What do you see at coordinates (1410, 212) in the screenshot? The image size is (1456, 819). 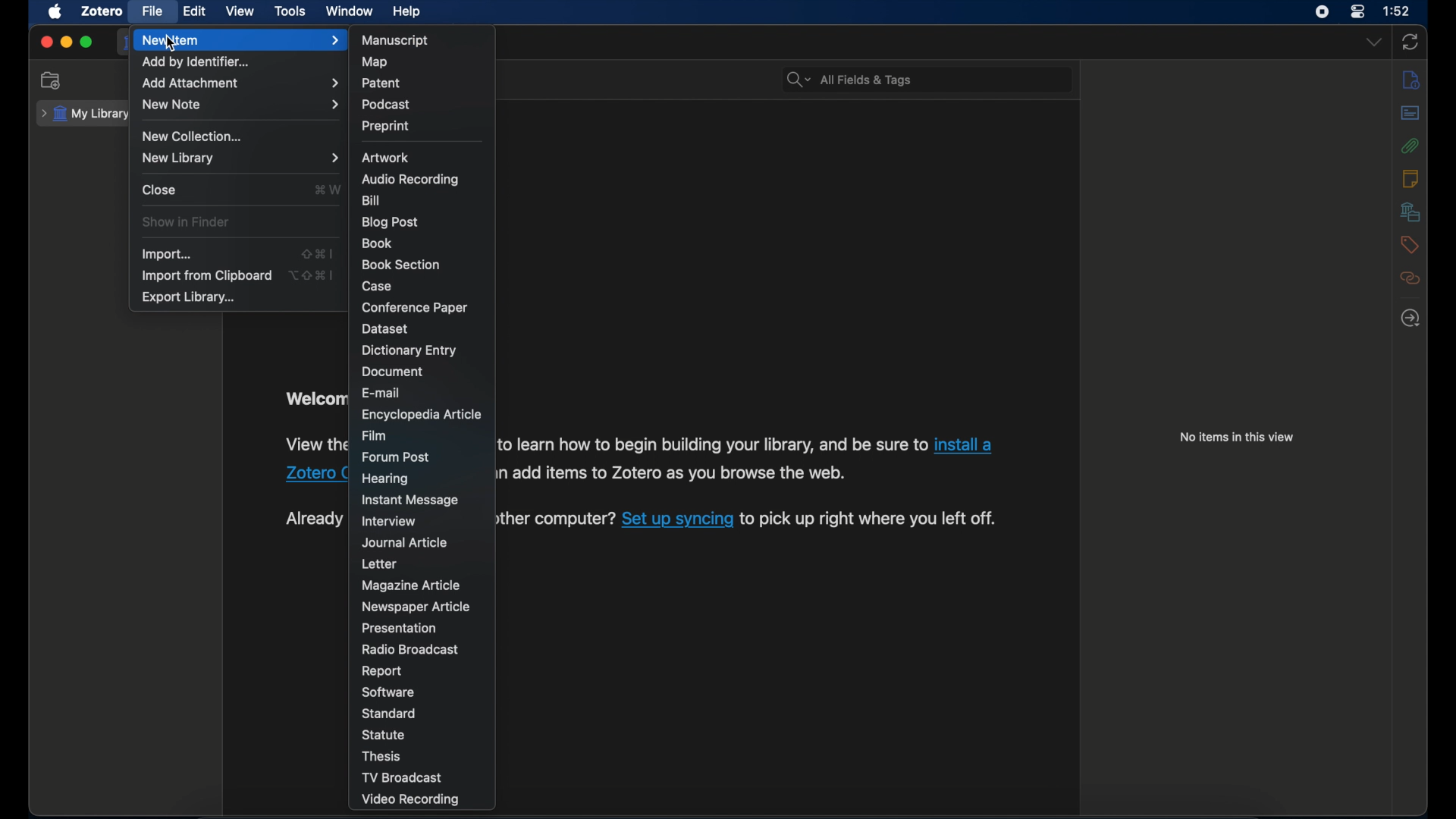 I see `libraries` at bounding box center [1410, 212].